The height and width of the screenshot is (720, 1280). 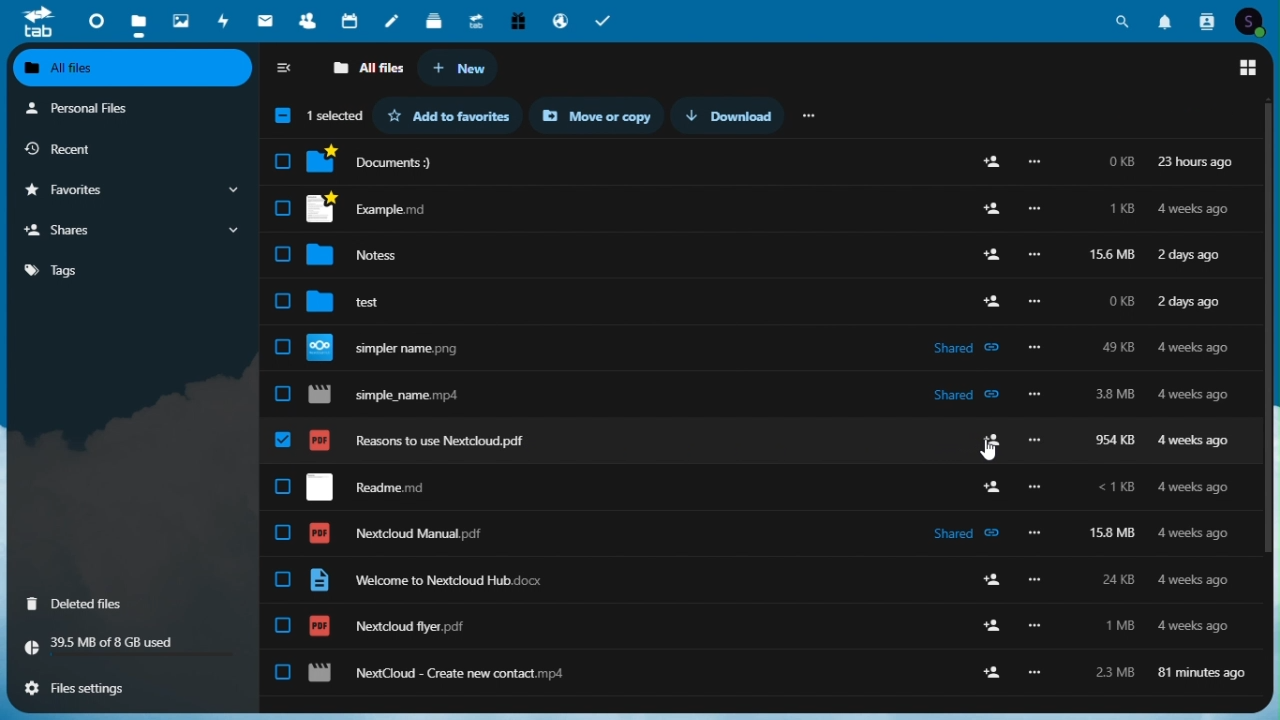 I want to click on notes, so click(x=372, y=255).